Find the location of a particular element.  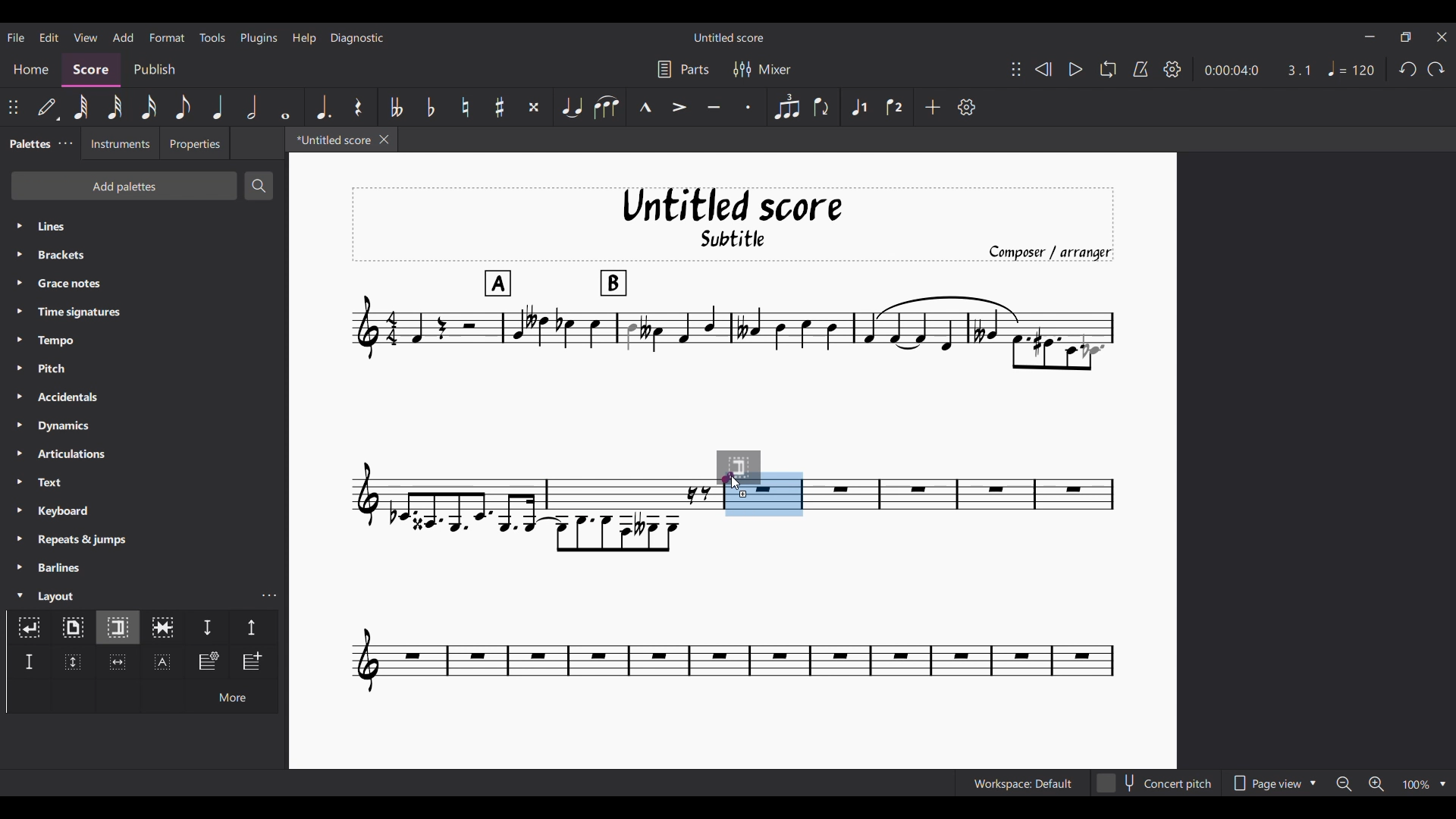

Instruments is located at coordinates (119, 143).